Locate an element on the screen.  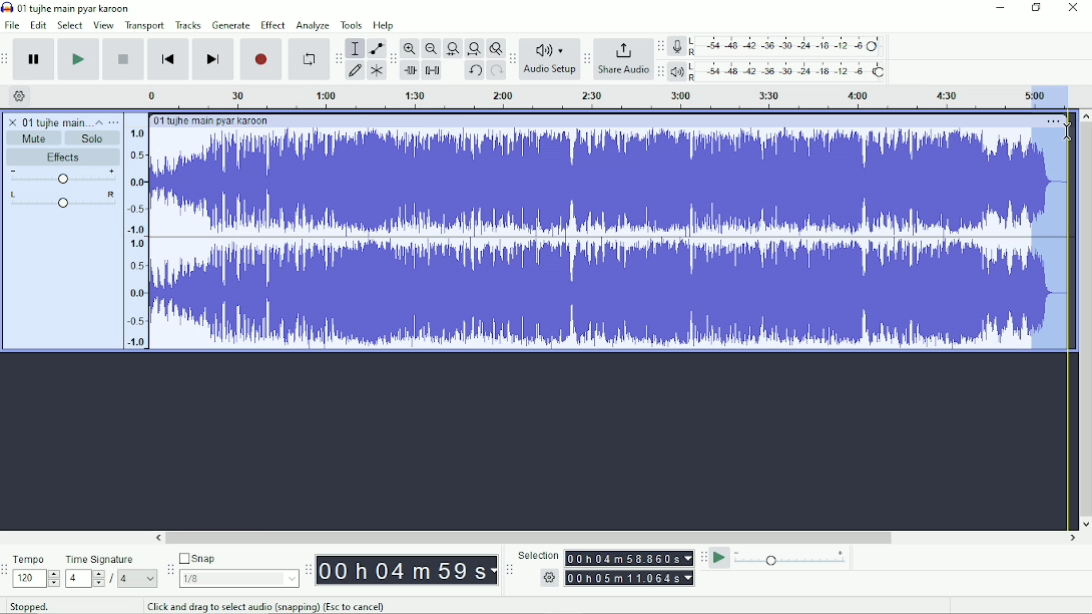
Audacity audio setup toolbar is located at coordinates (512, 59).